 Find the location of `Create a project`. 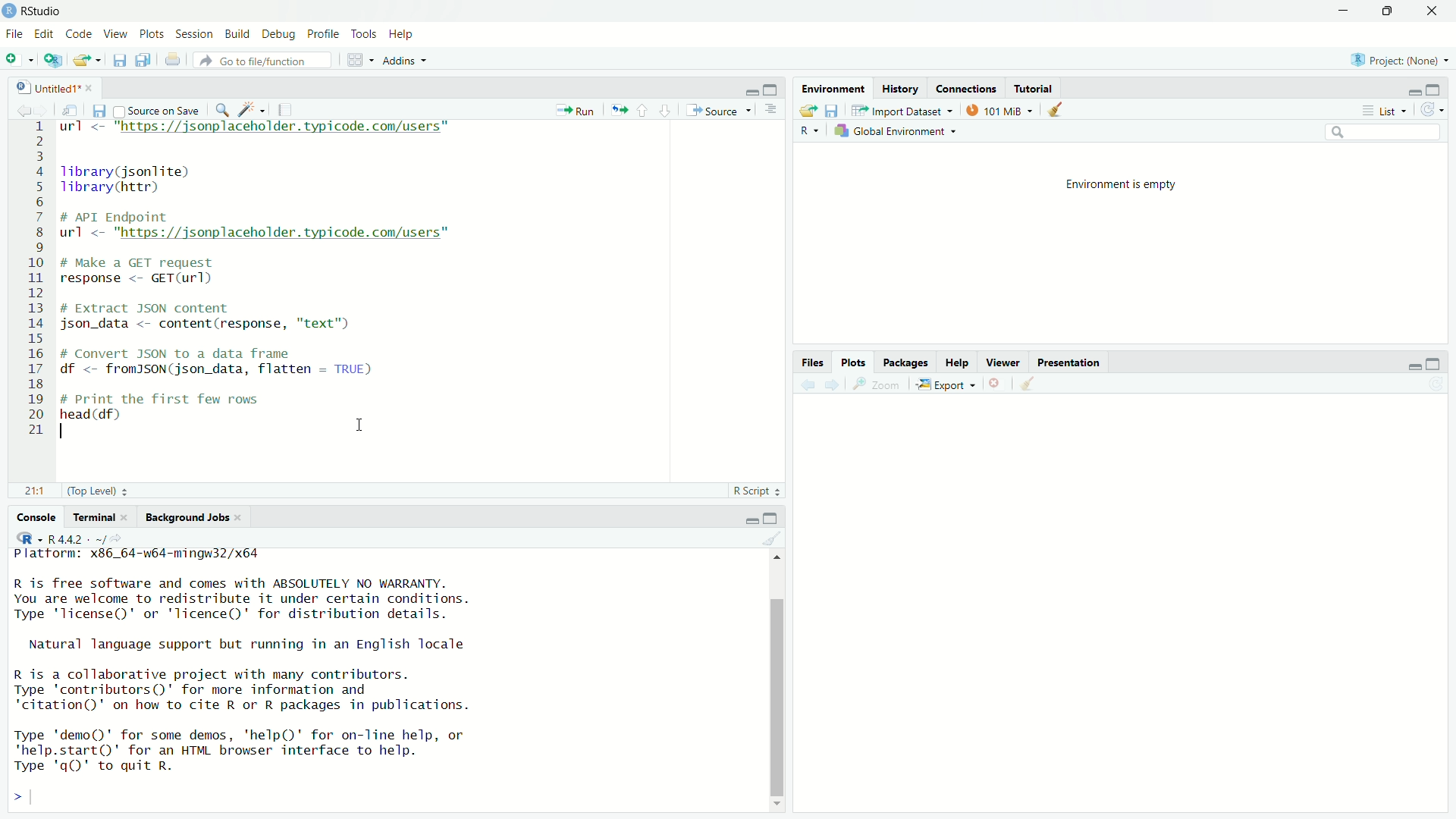

Create a project is located at coordinates (51, 60).